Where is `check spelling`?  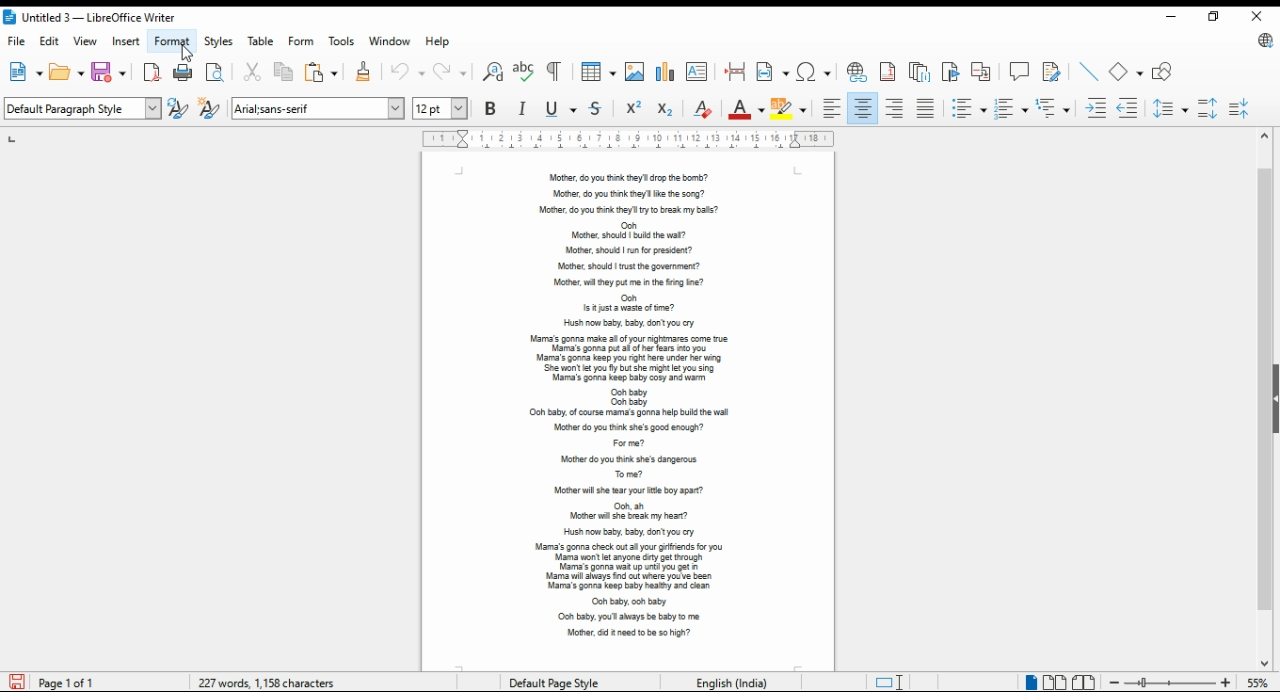
check spelling is located at coordinates (527, 72).